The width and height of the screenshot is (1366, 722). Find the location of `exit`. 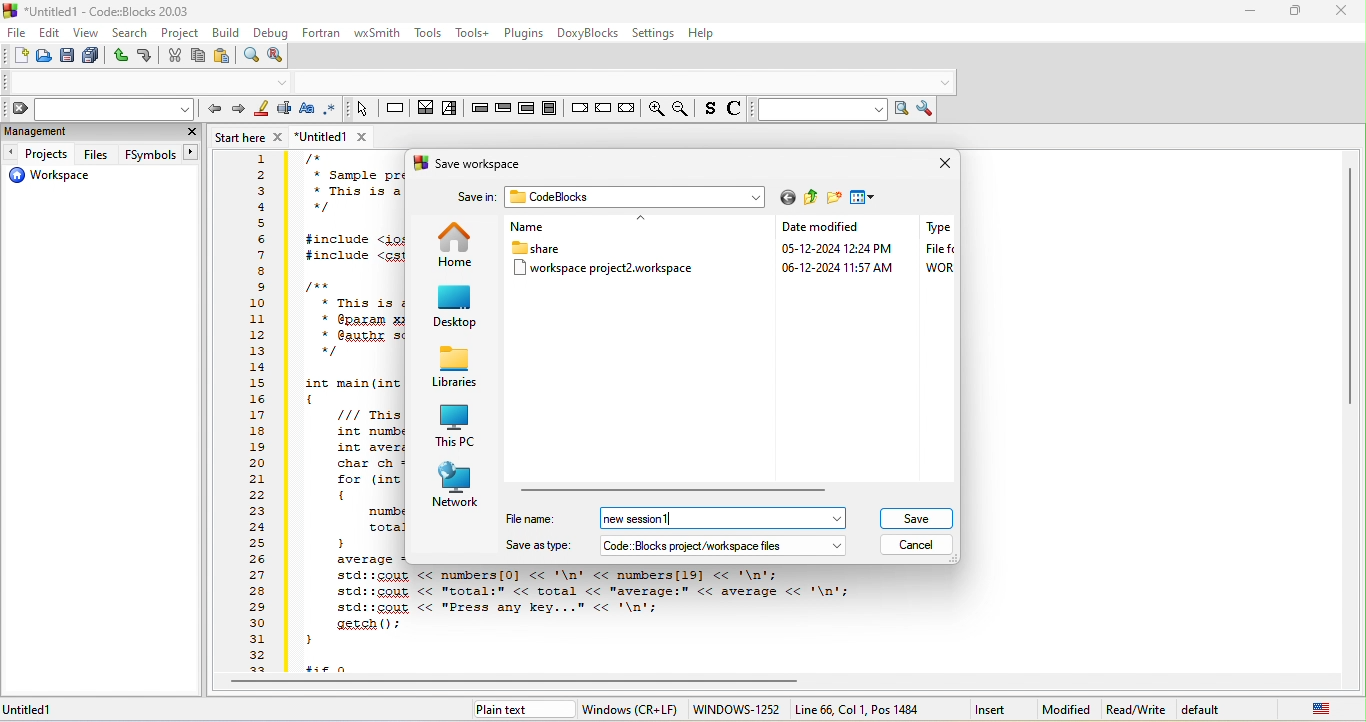

exit is located at coordinates (503, 111).